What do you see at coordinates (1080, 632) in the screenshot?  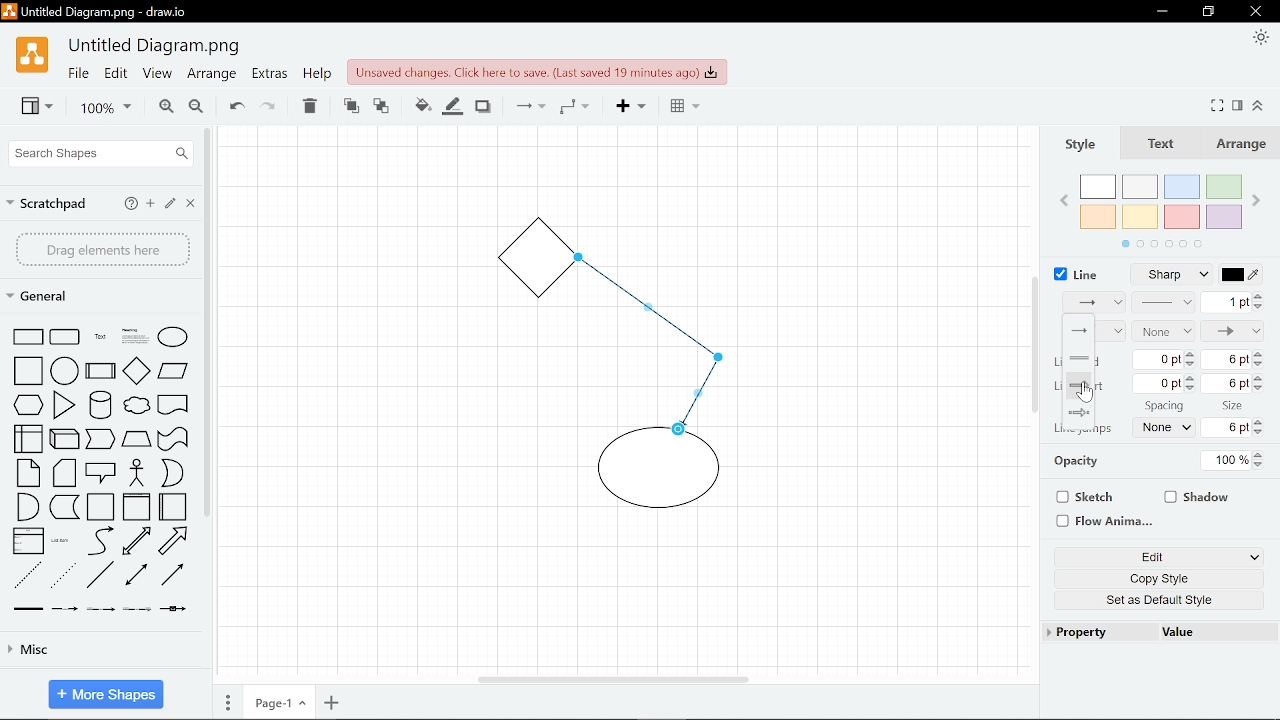 I see `» Property` at bounding box center [1080, 632].